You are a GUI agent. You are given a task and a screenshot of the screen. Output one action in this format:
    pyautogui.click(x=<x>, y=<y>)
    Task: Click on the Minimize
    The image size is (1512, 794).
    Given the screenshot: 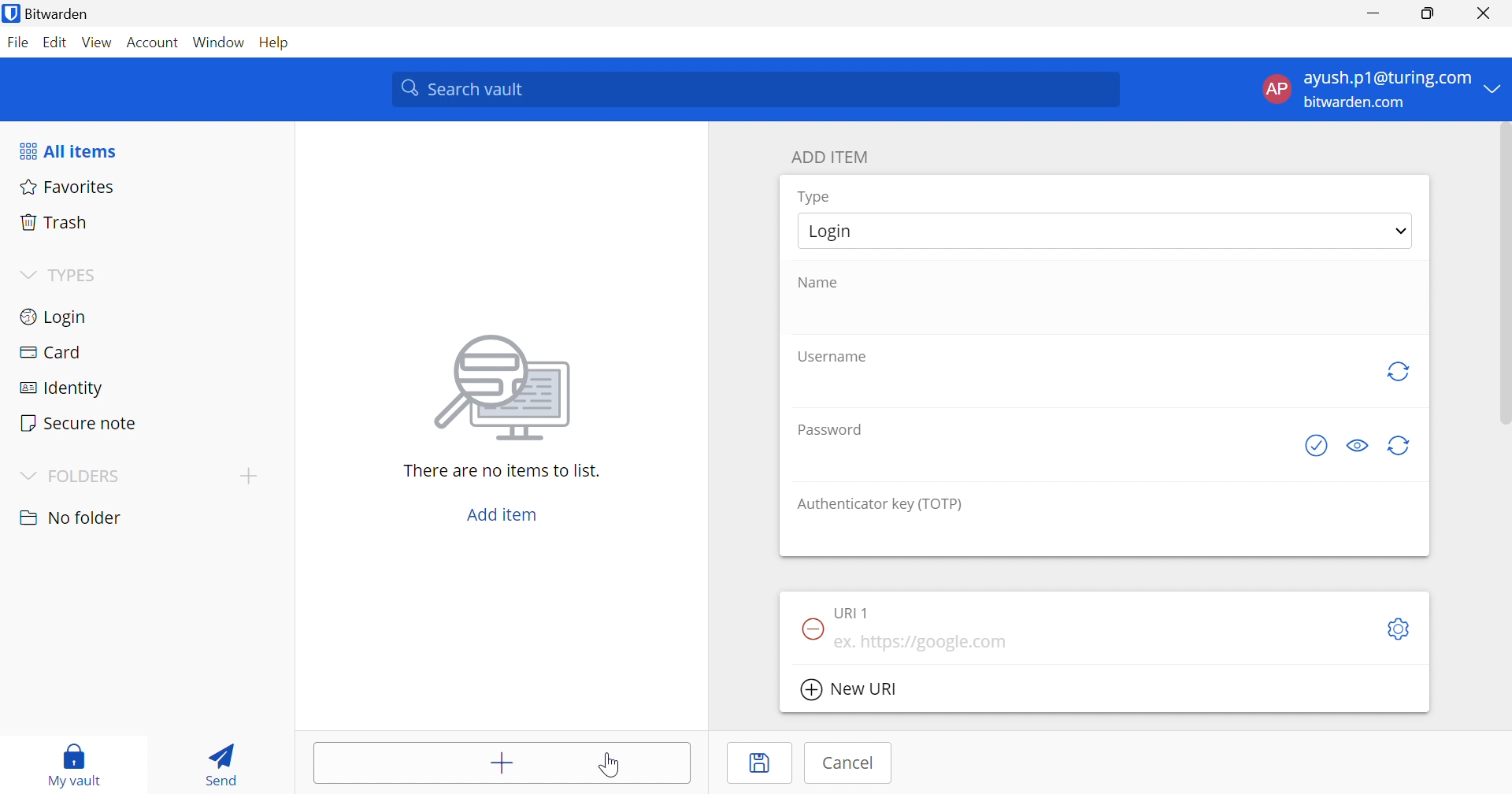 What is the action you would take?
    pyautogui.click(x=1373, y=14)
    